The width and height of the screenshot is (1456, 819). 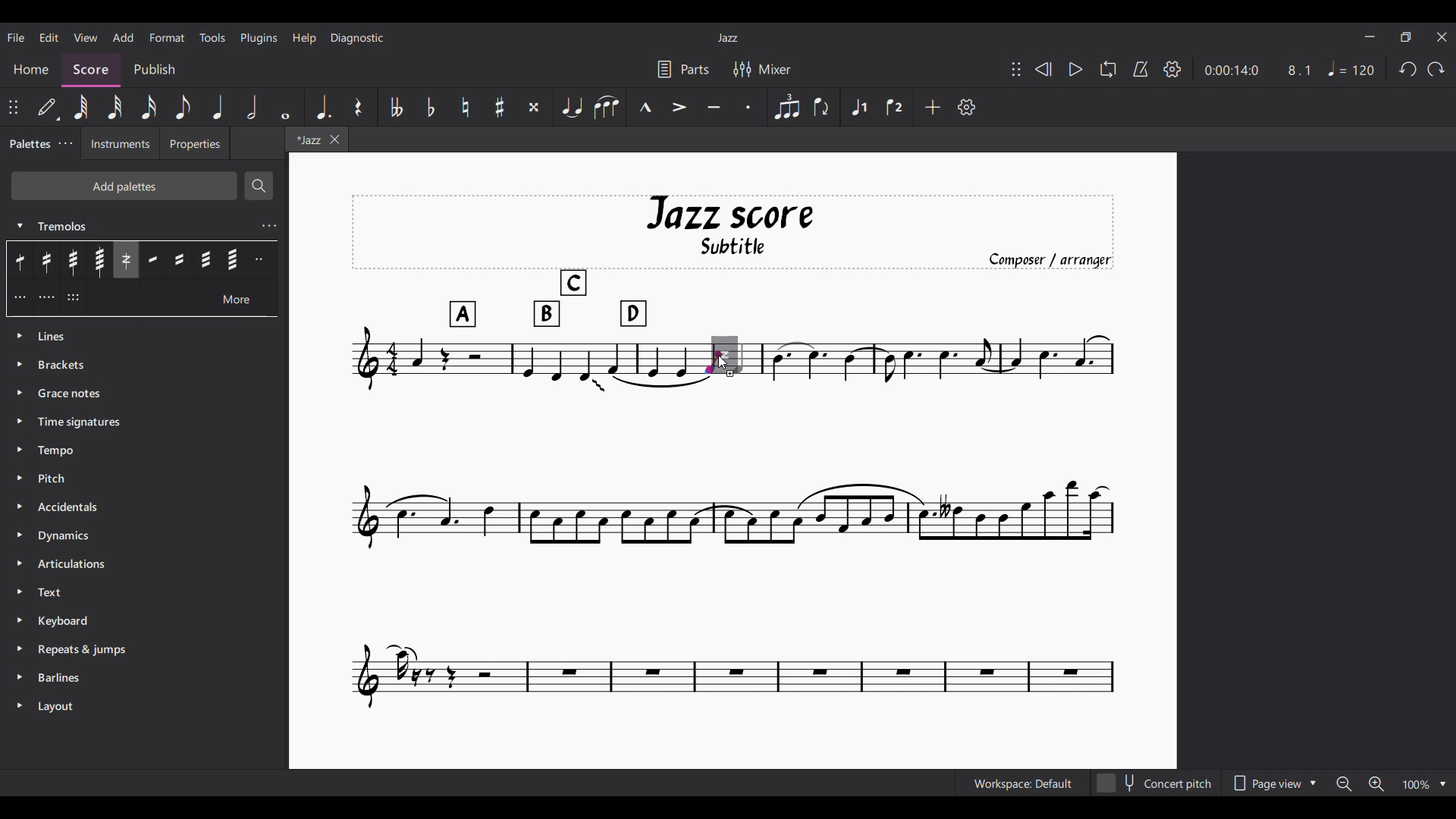 I want to click on 0:00:14:0, so click(x=1232, y=69).